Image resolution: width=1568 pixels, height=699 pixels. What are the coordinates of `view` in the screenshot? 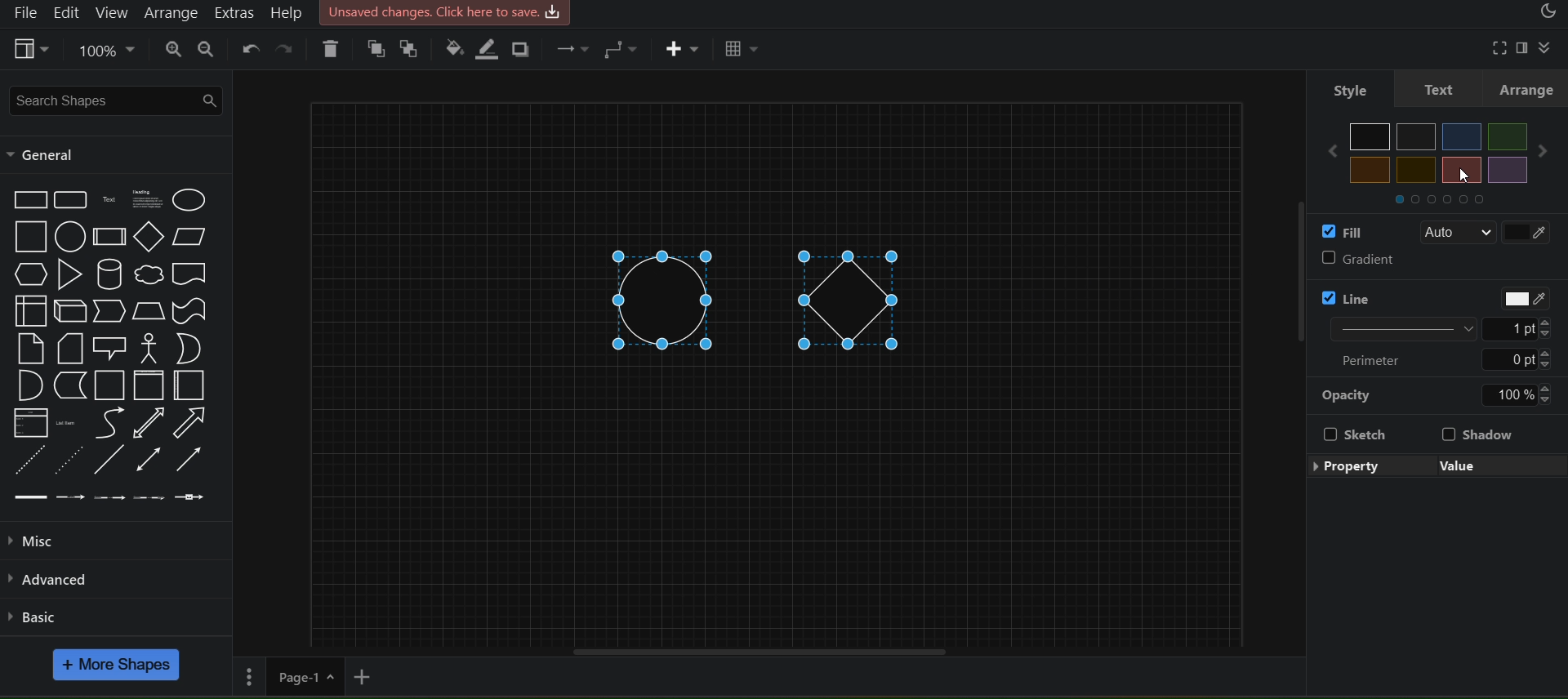 It's located at (118, 13).